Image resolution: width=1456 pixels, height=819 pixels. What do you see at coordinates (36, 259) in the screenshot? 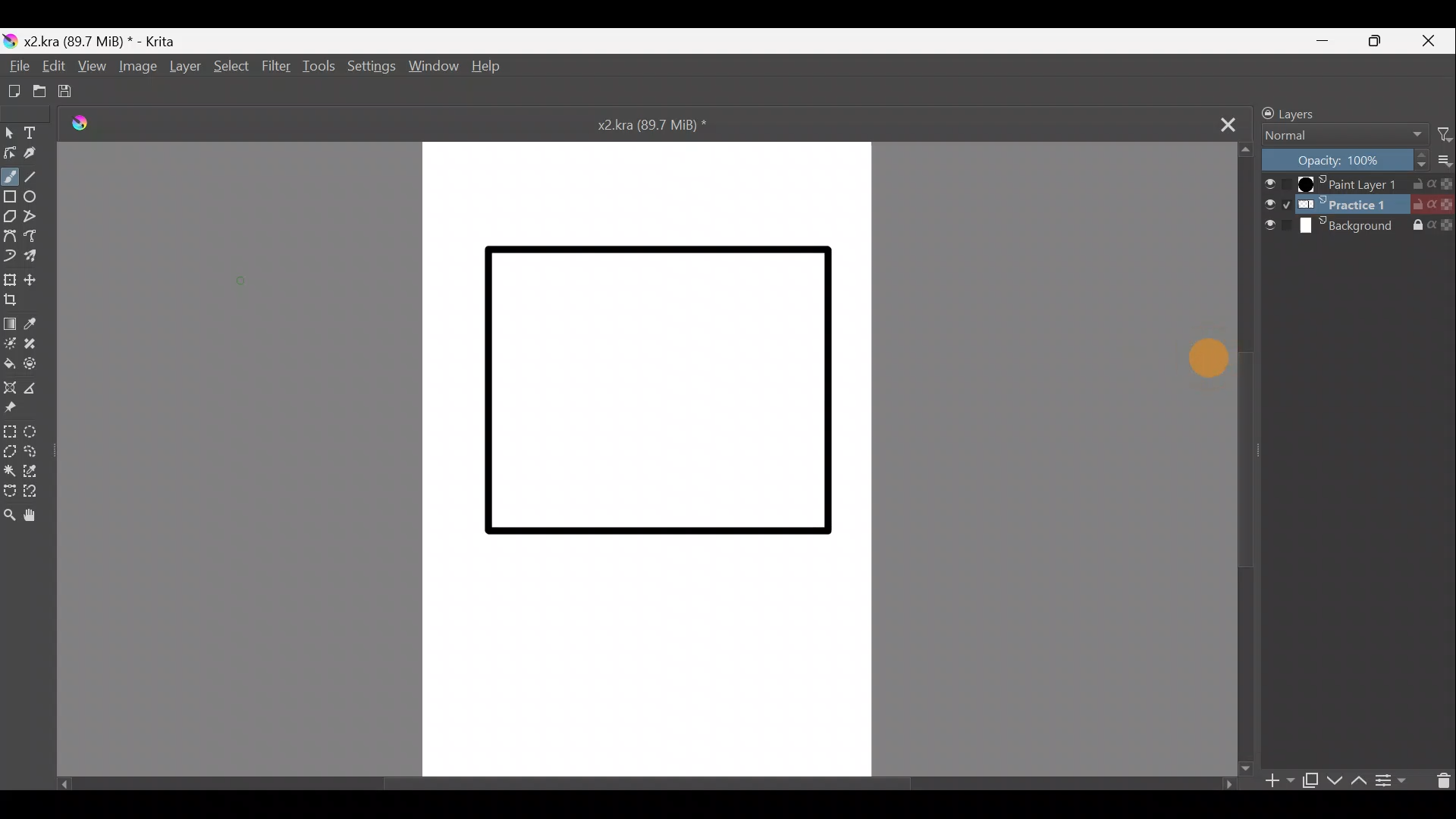
I see `Multibrush tool` at bounding box center [36, 259].